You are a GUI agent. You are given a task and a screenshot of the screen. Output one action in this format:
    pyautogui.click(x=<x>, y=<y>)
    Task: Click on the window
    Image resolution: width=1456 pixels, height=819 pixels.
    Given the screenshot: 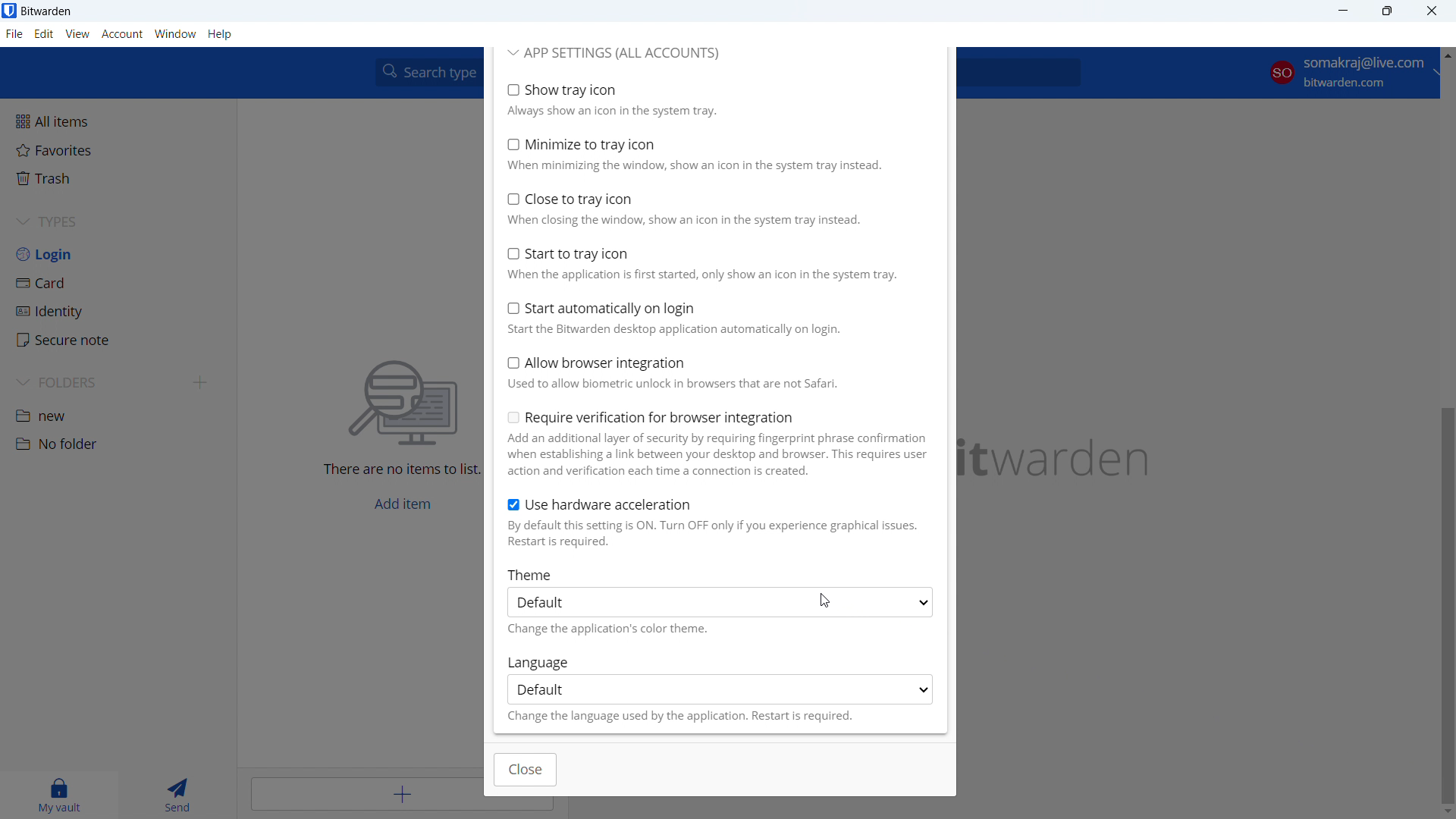 What is the action you would take?
    pyautogui.click(x=176, y=34)
    